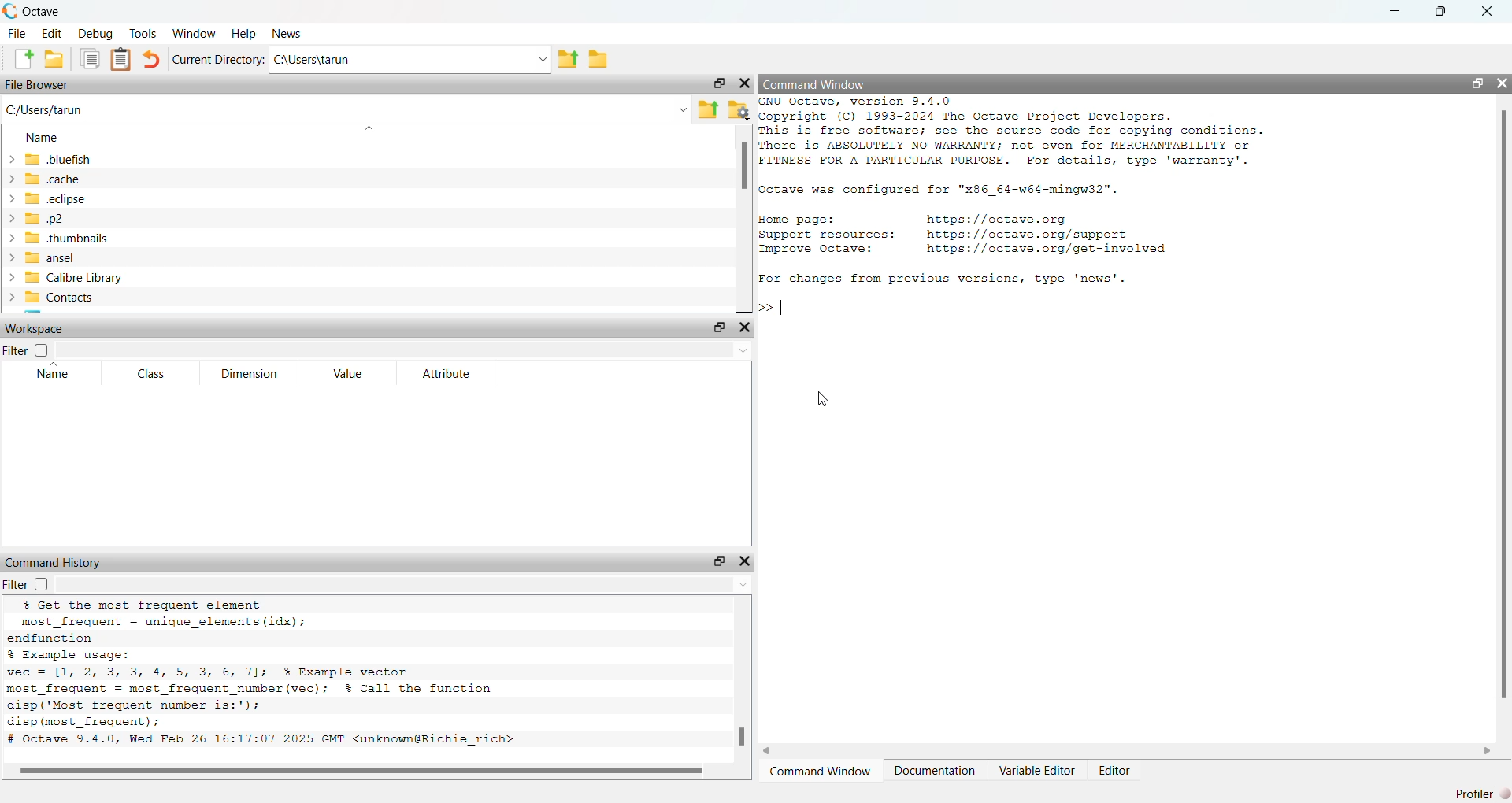 This screenshot has height=803, width=1512. I want to click on New script, so click(20, 58).